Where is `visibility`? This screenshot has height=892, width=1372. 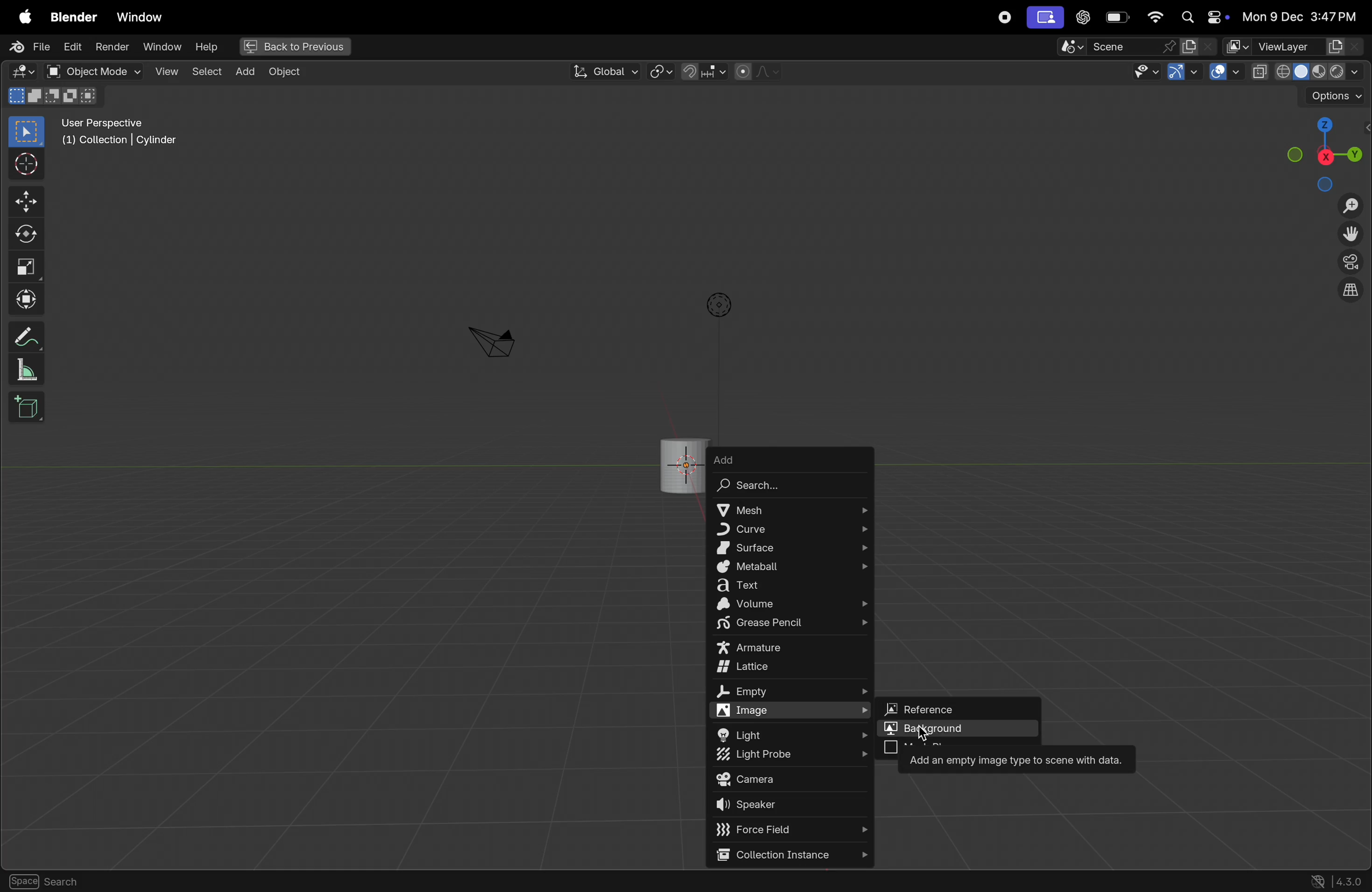
visibility is located at coordinates (1145, 72).